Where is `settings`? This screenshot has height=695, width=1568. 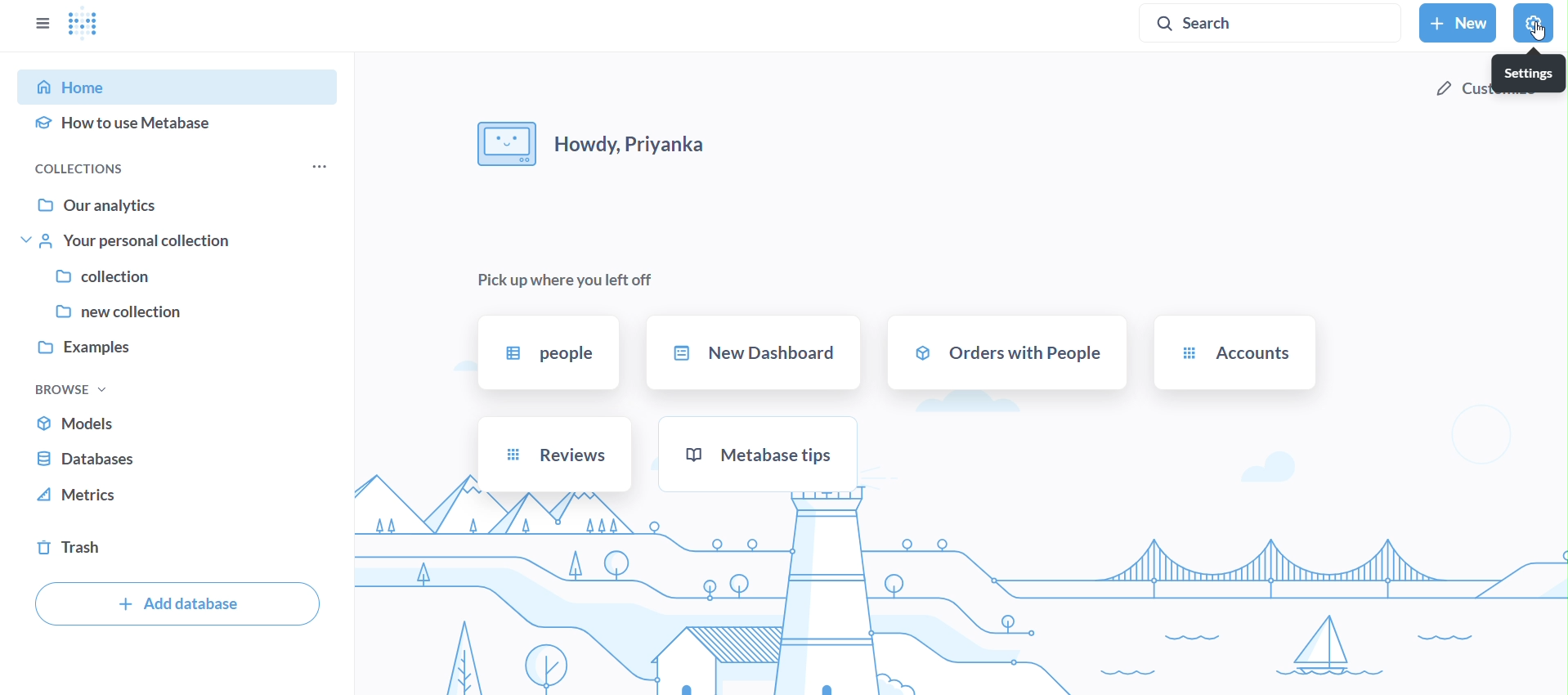
settings is located at coordinates (1530, 72).